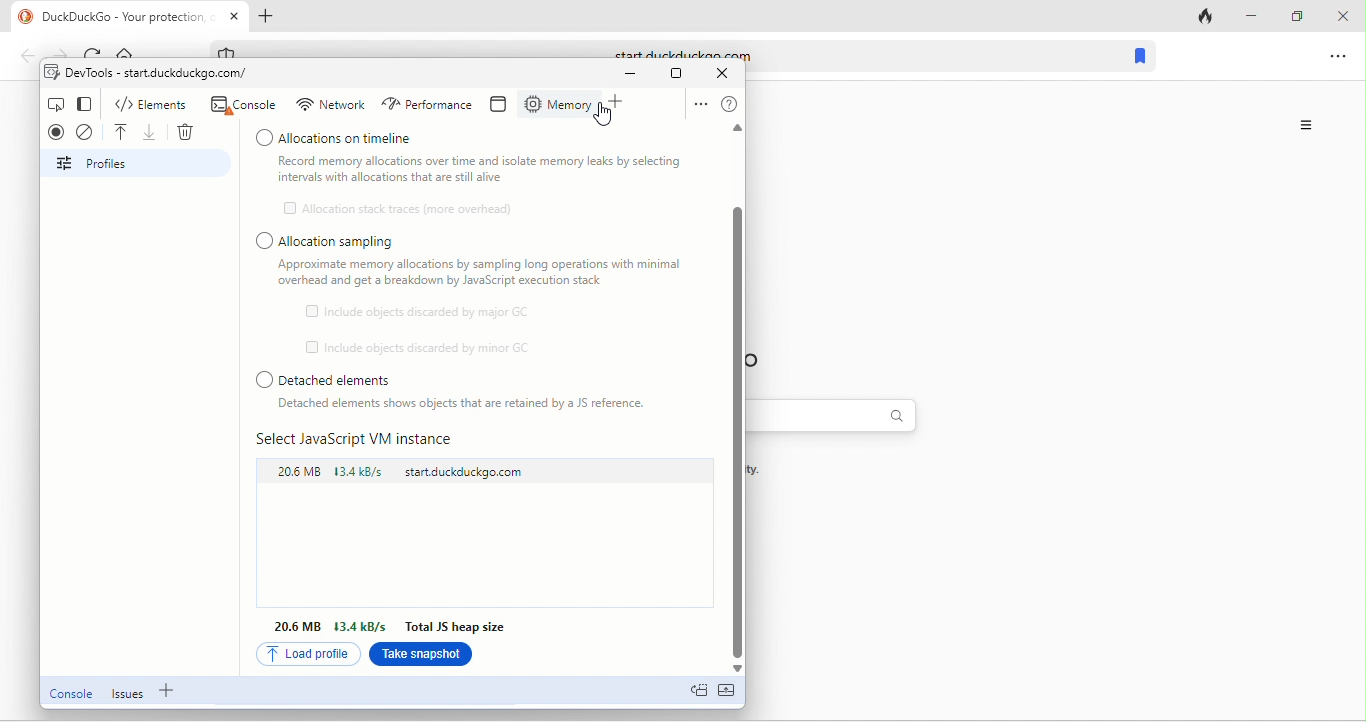 Image resolution: width=1366 pixels, height=722 pixels. What do you see at coordinates (91, 103) in the screenshot?
I see `change view` at bounding box center [91, 103].